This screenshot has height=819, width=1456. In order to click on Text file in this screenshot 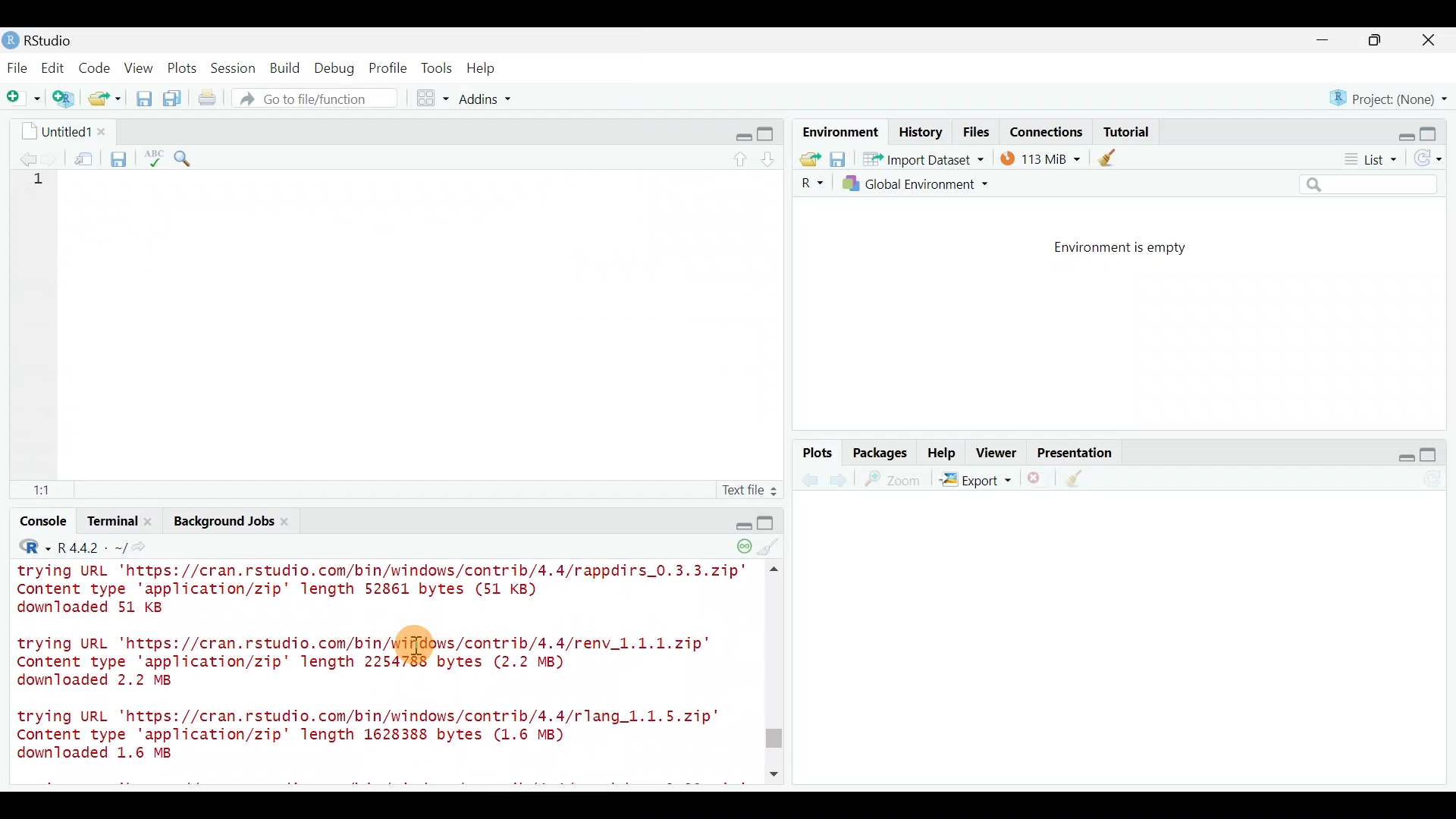, I will do `click(741, 488)`.